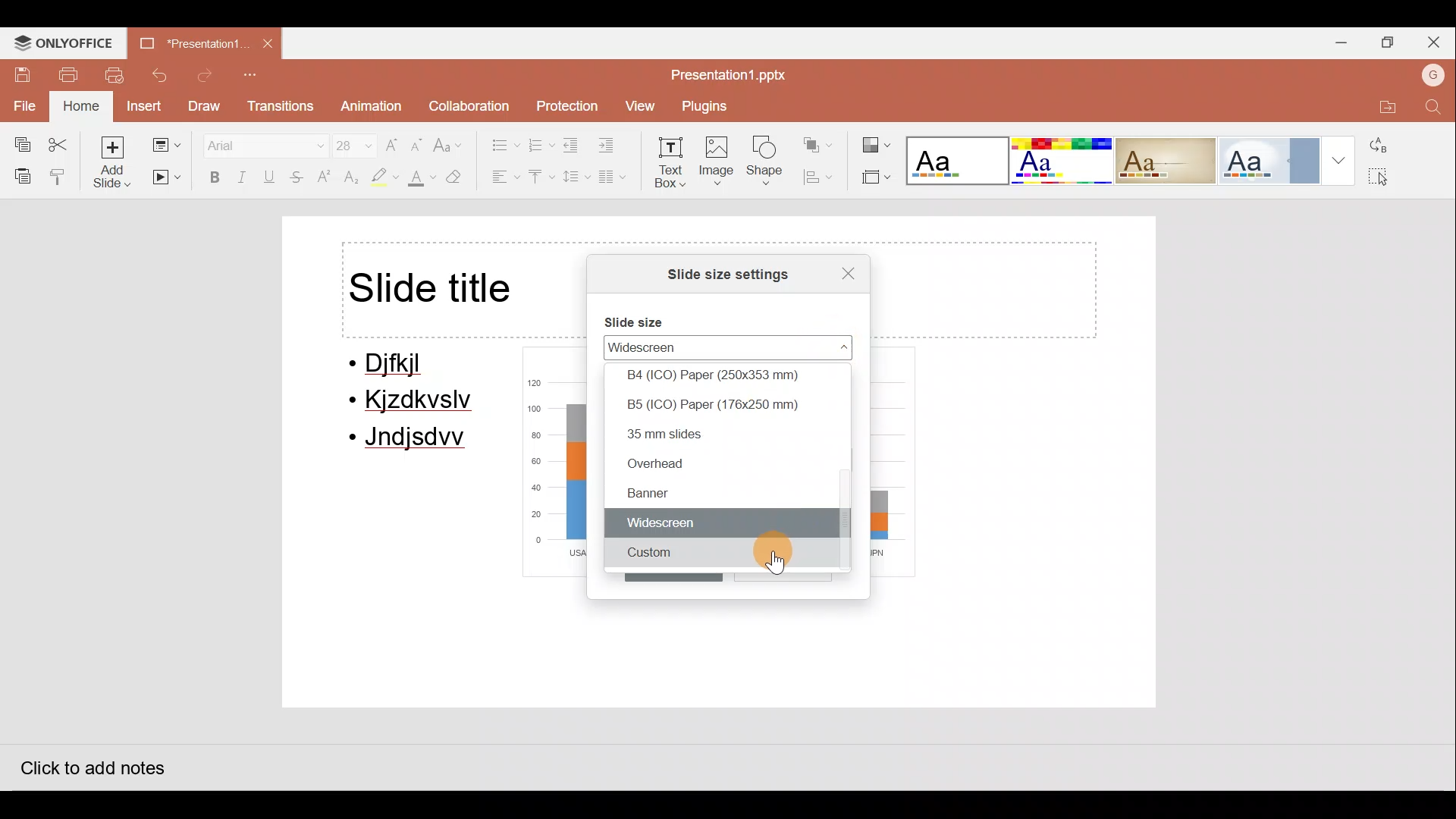  I want to click on Draw, so click(206, 106).